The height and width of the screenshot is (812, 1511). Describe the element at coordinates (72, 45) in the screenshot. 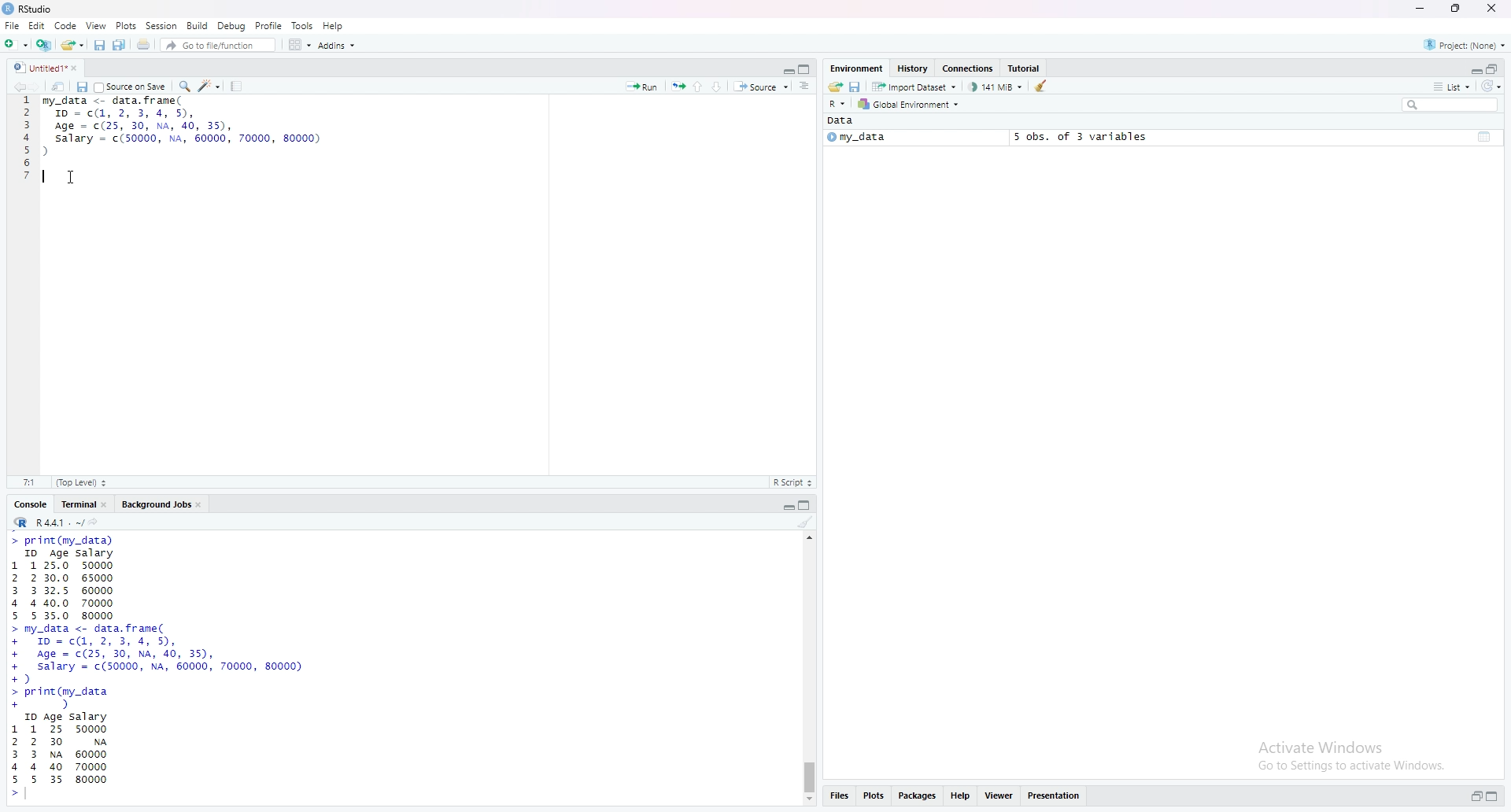

I see `open an existing file` at that location.